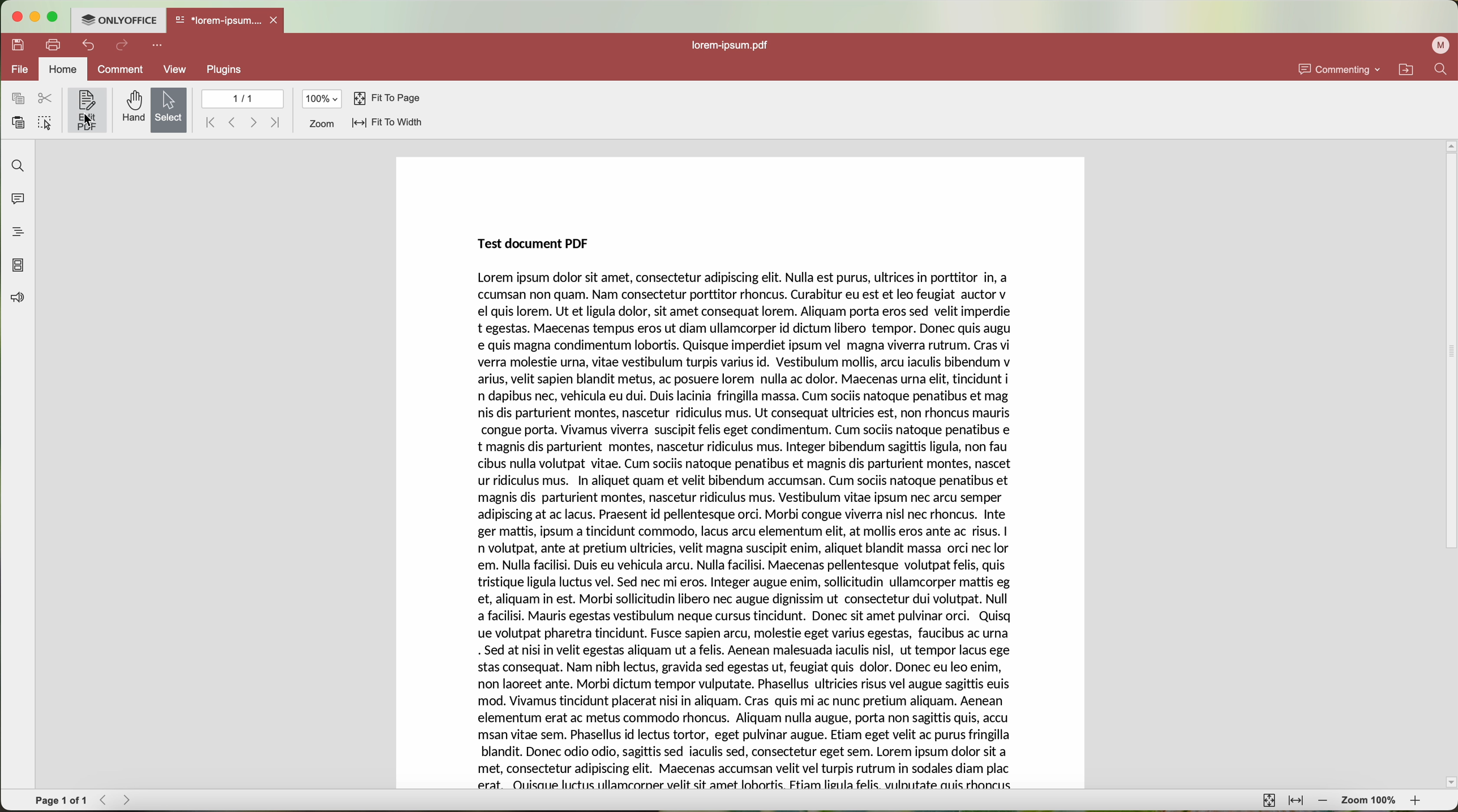 This screenshot has height=812, width=1458. What do you see at coordinates (19, 266) in the screenshot?
I see `page thumbnails` at bounding box center [19, 266].